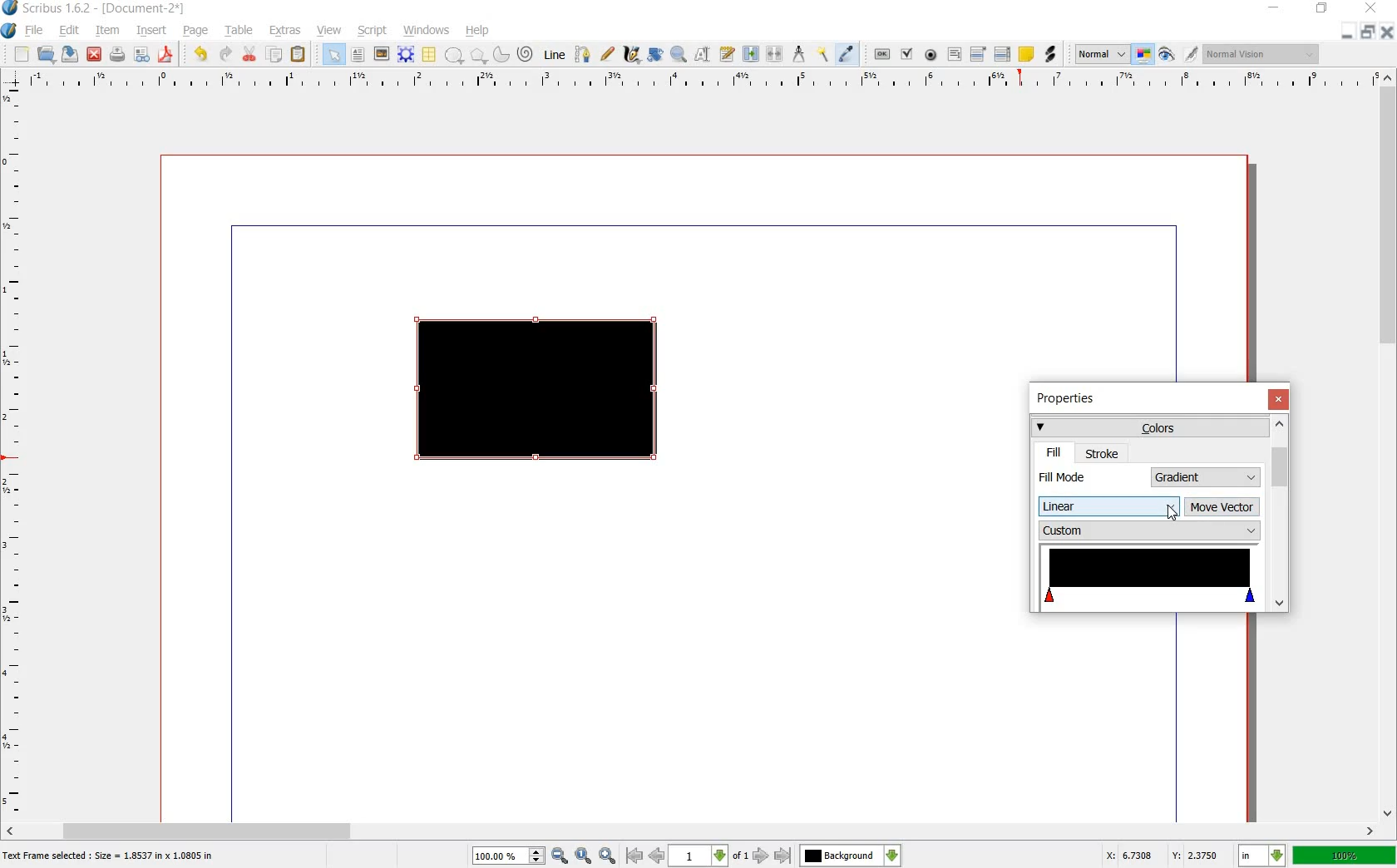 This screenshot has height=868, width=1397. What do you see at coordinates (406, 55) in the screenshot?
I see `render frame` at bounding box center [406, 55].